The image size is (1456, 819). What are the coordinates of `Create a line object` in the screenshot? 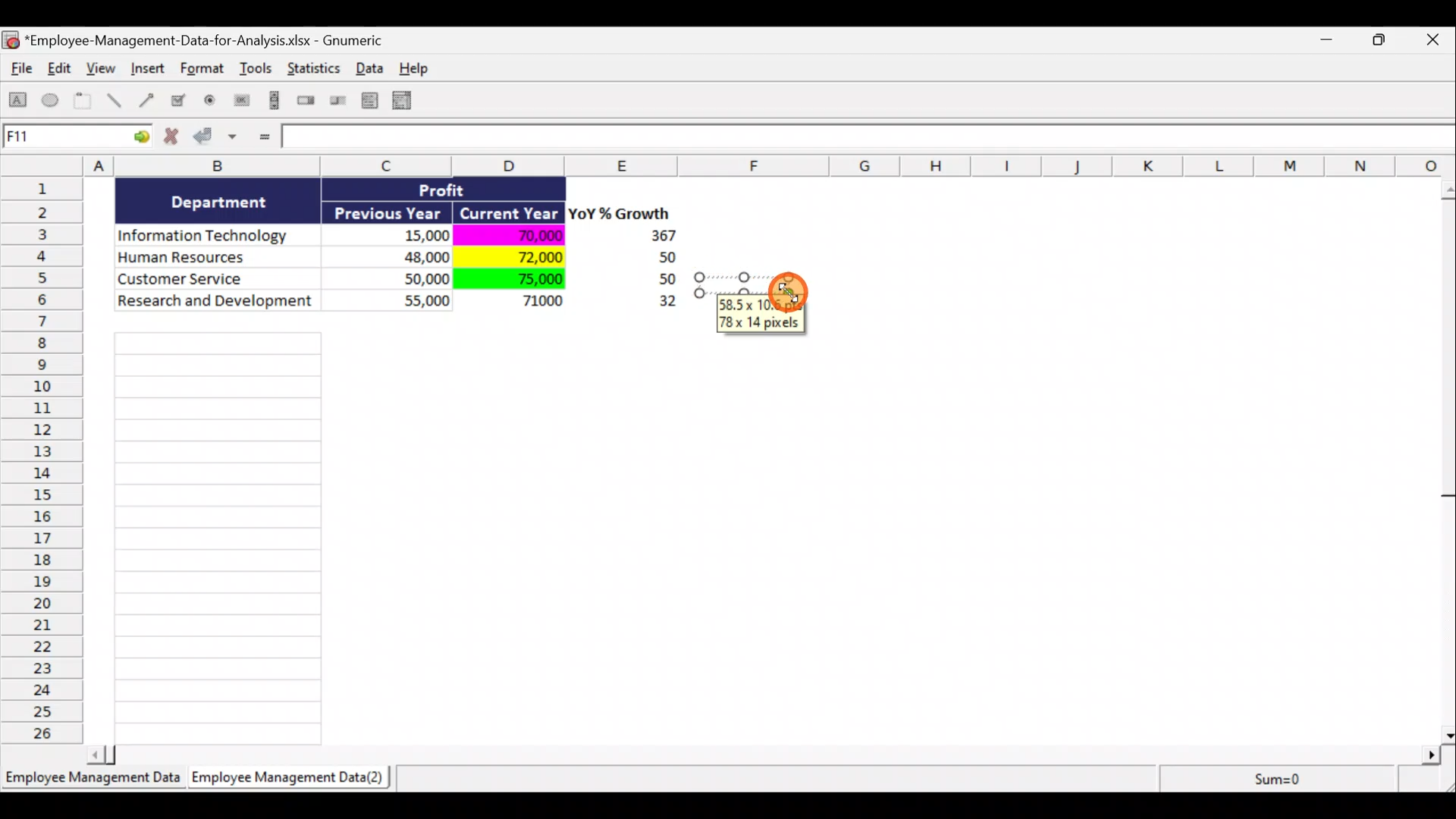 It's located at (117, 101).